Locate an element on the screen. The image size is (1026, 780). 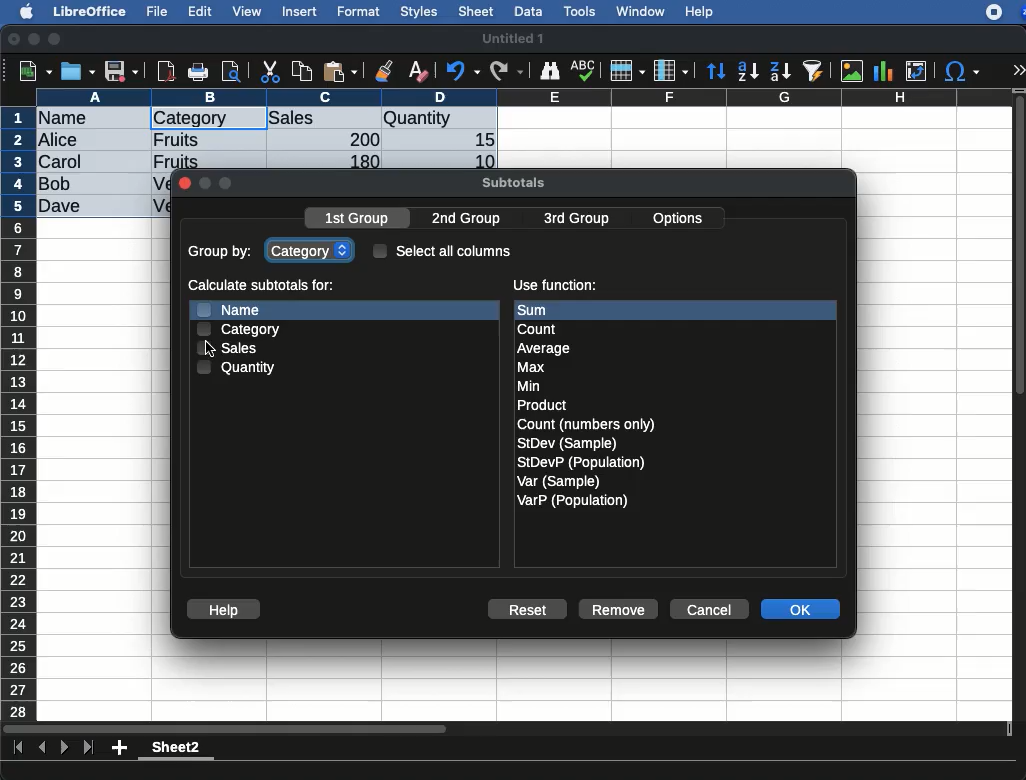
edit is located at coordinates (200, 11).